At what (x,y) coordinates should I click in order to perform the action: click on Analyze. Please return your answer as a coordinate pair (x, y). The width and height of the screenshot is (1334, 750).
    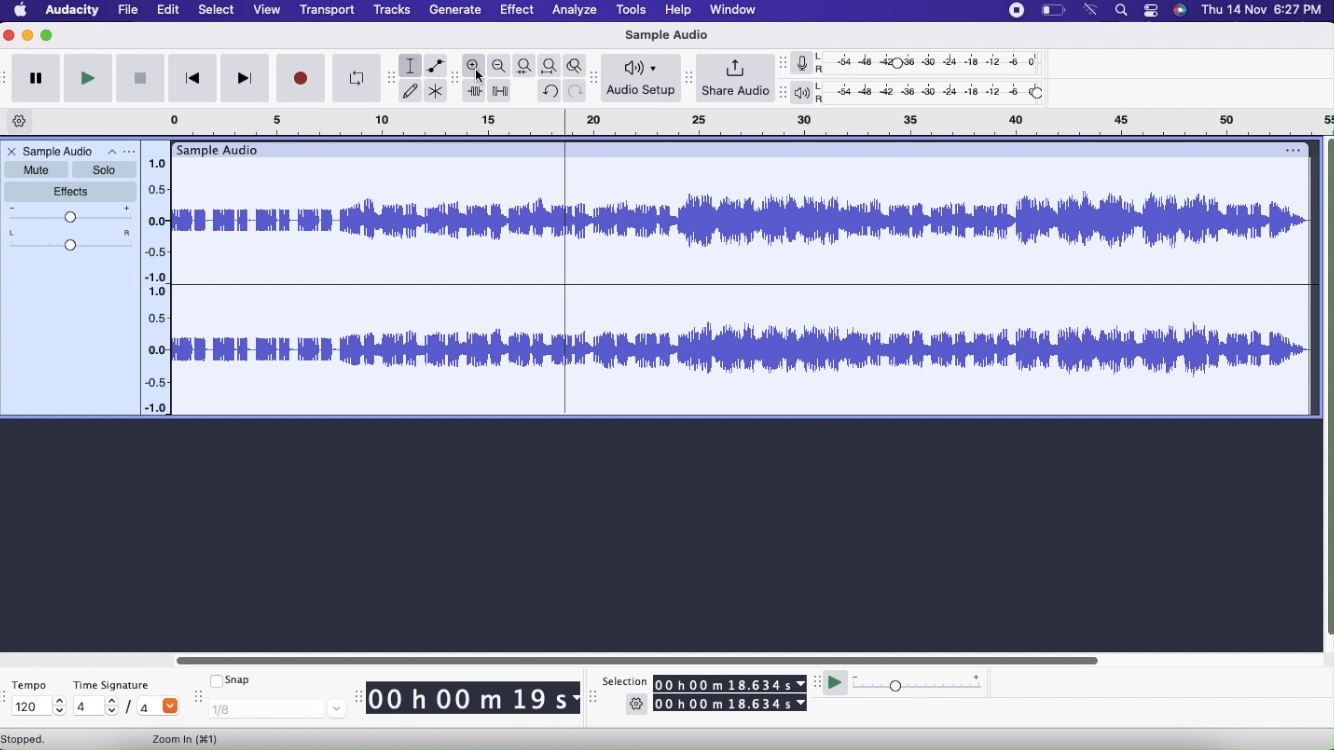
    Looking at the image, I should click on (574, 11).